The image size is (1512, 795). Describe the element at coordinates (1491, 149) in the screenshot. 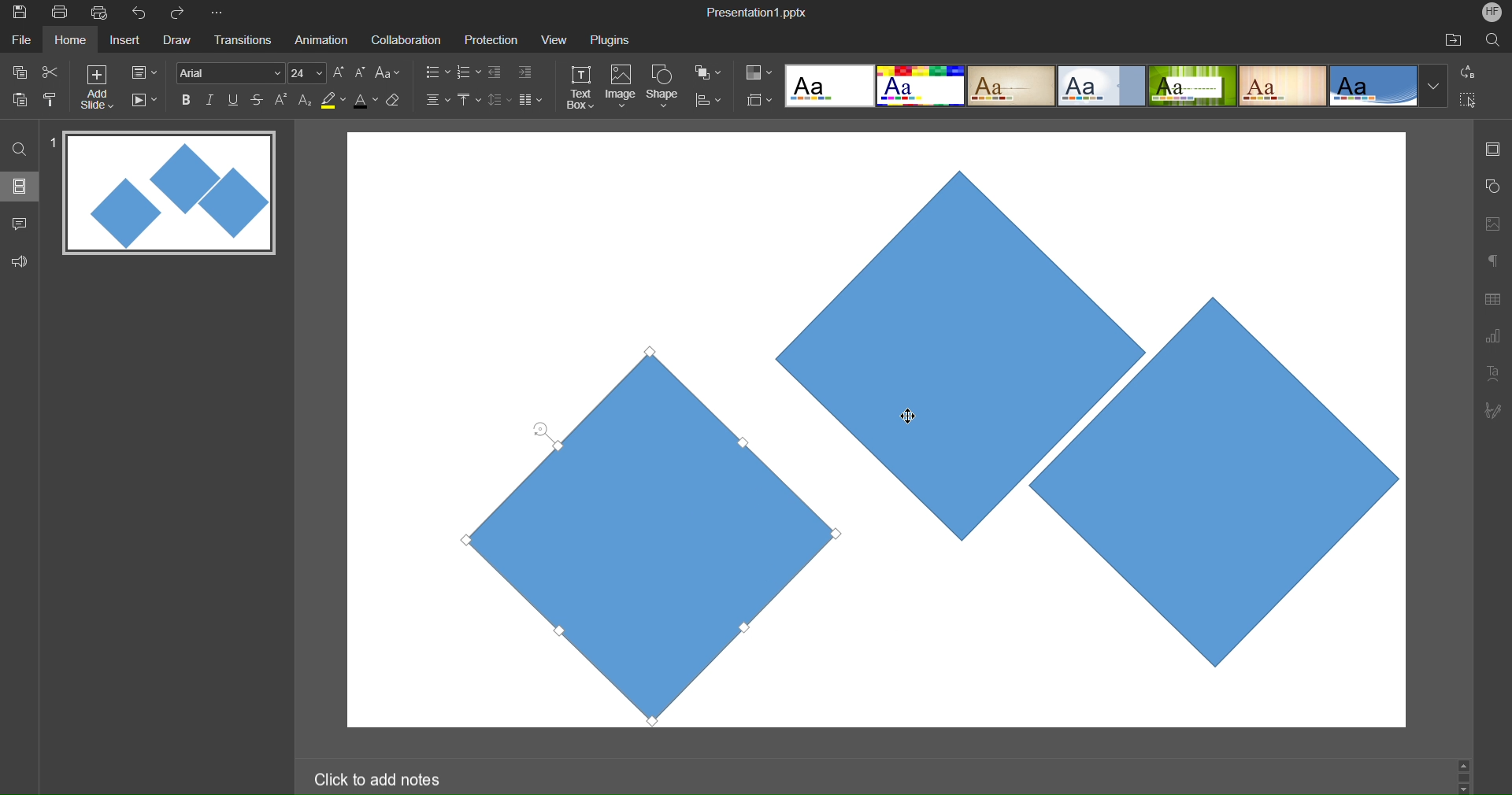

I see `Slide Settings` at that location.